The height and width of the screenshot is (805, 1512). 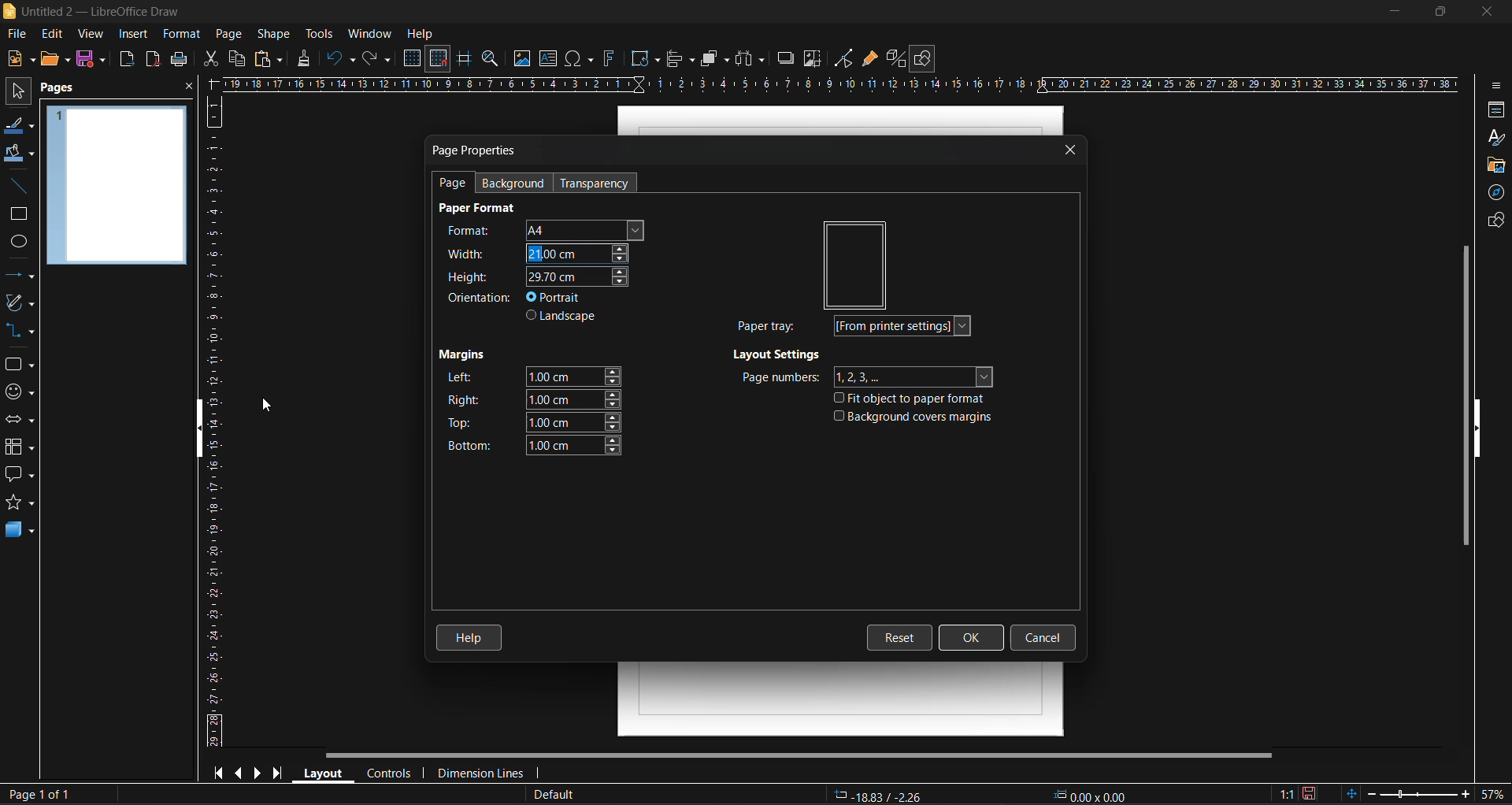 I want to click on page preview, so click(x=117, y=187).